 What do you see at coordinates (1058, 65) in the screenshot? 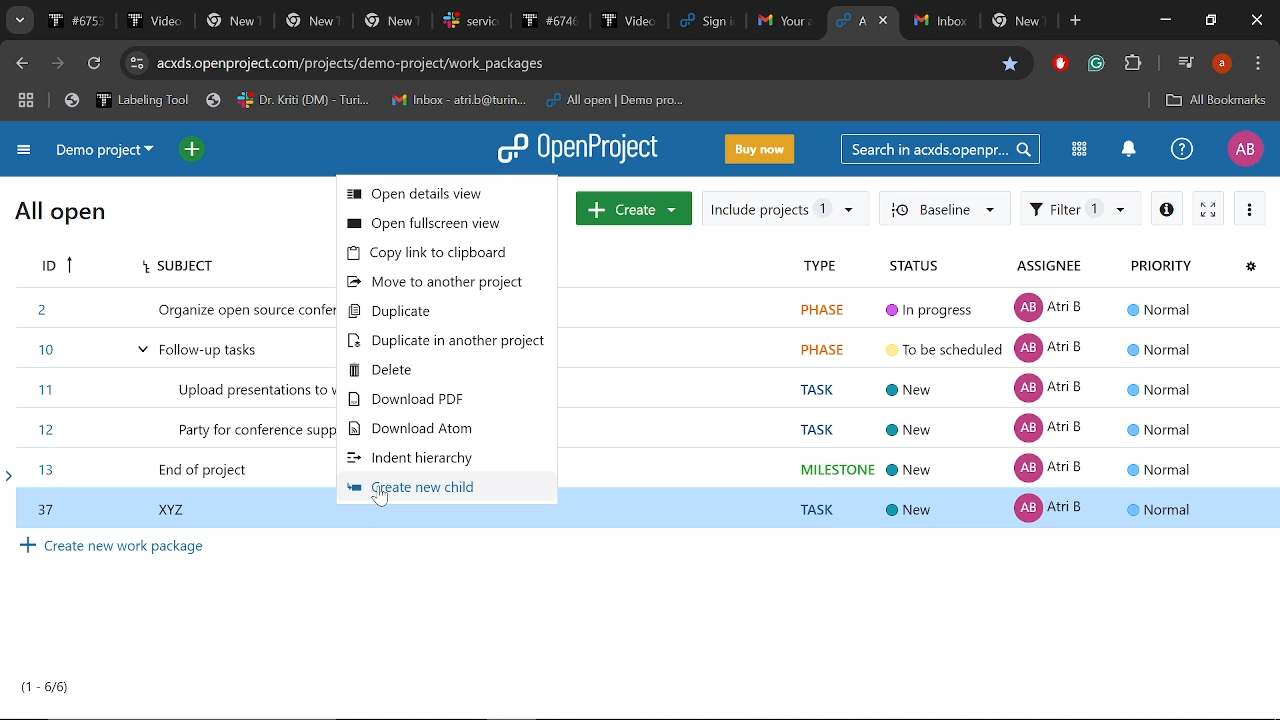
I see `Add block` at bounding box center [1058, 65].